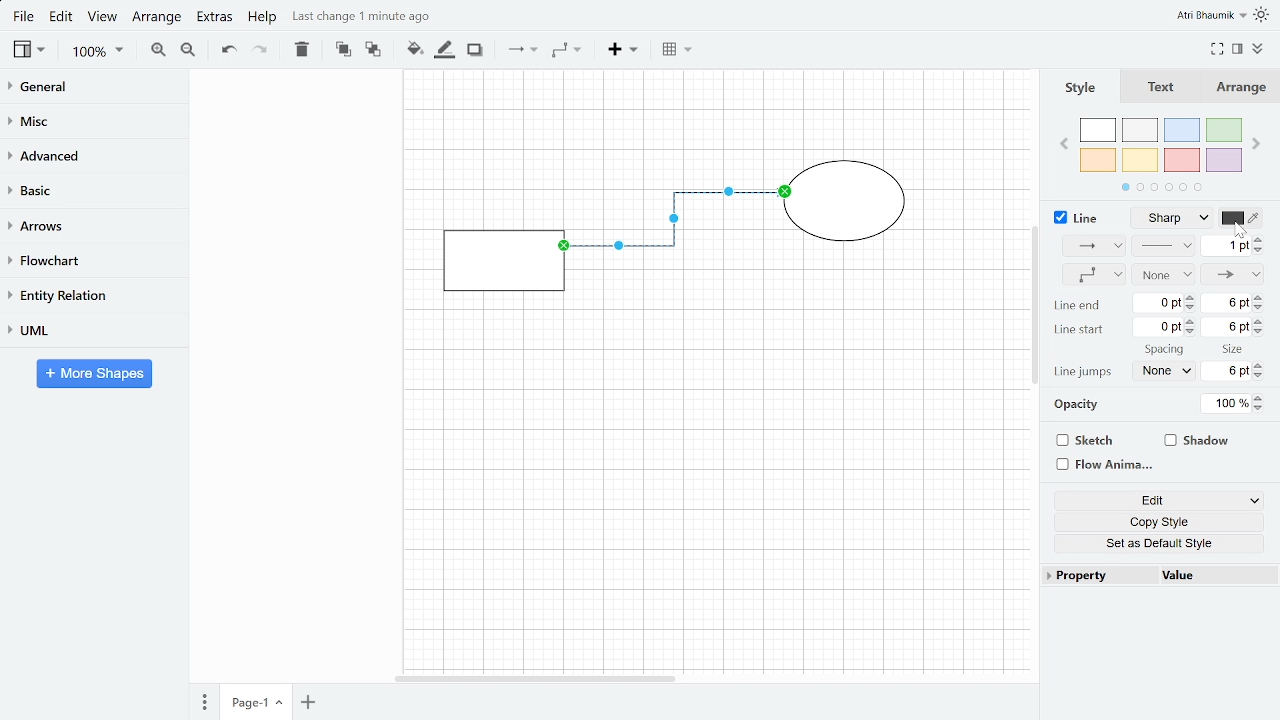  What do you see at coordinates (1229, 305) in the screenshot?
I see `Current line end size` at bounding box center [1229, 305].